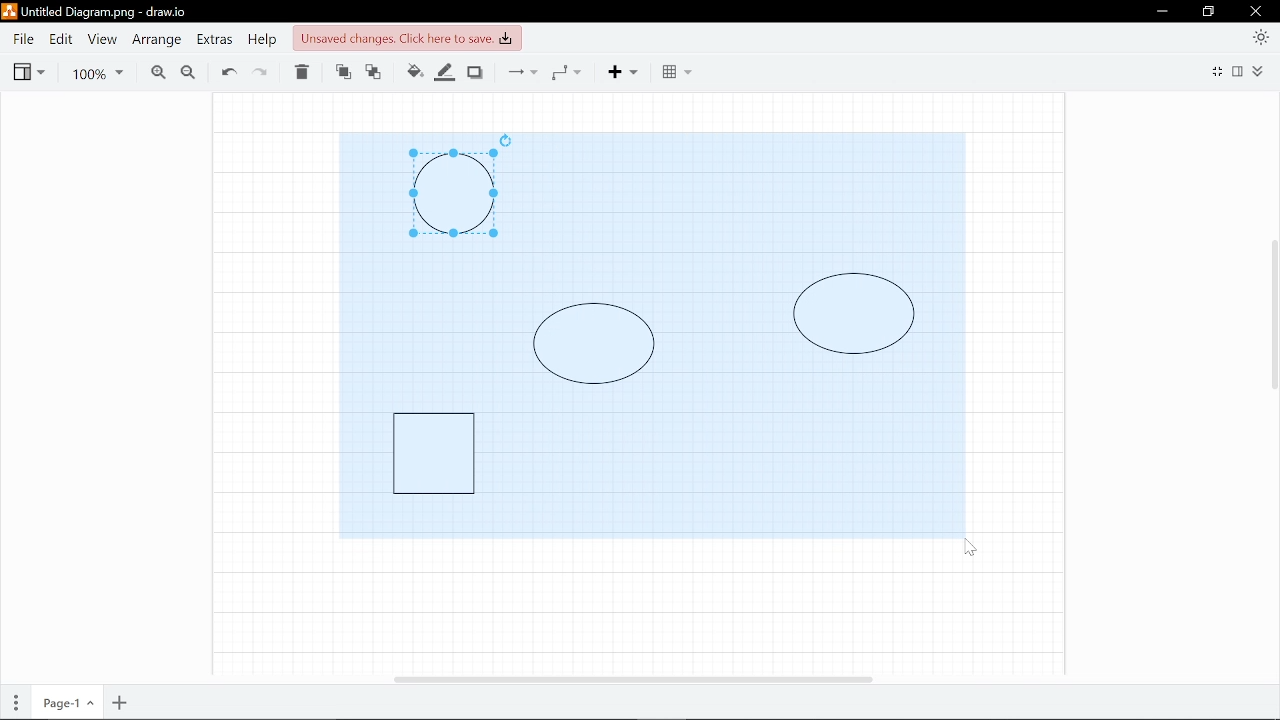 This screenshot has height=720, width=1280. Describe the element at coordinates (970, 546) in the screenshot. I see `Cursor` at that location.